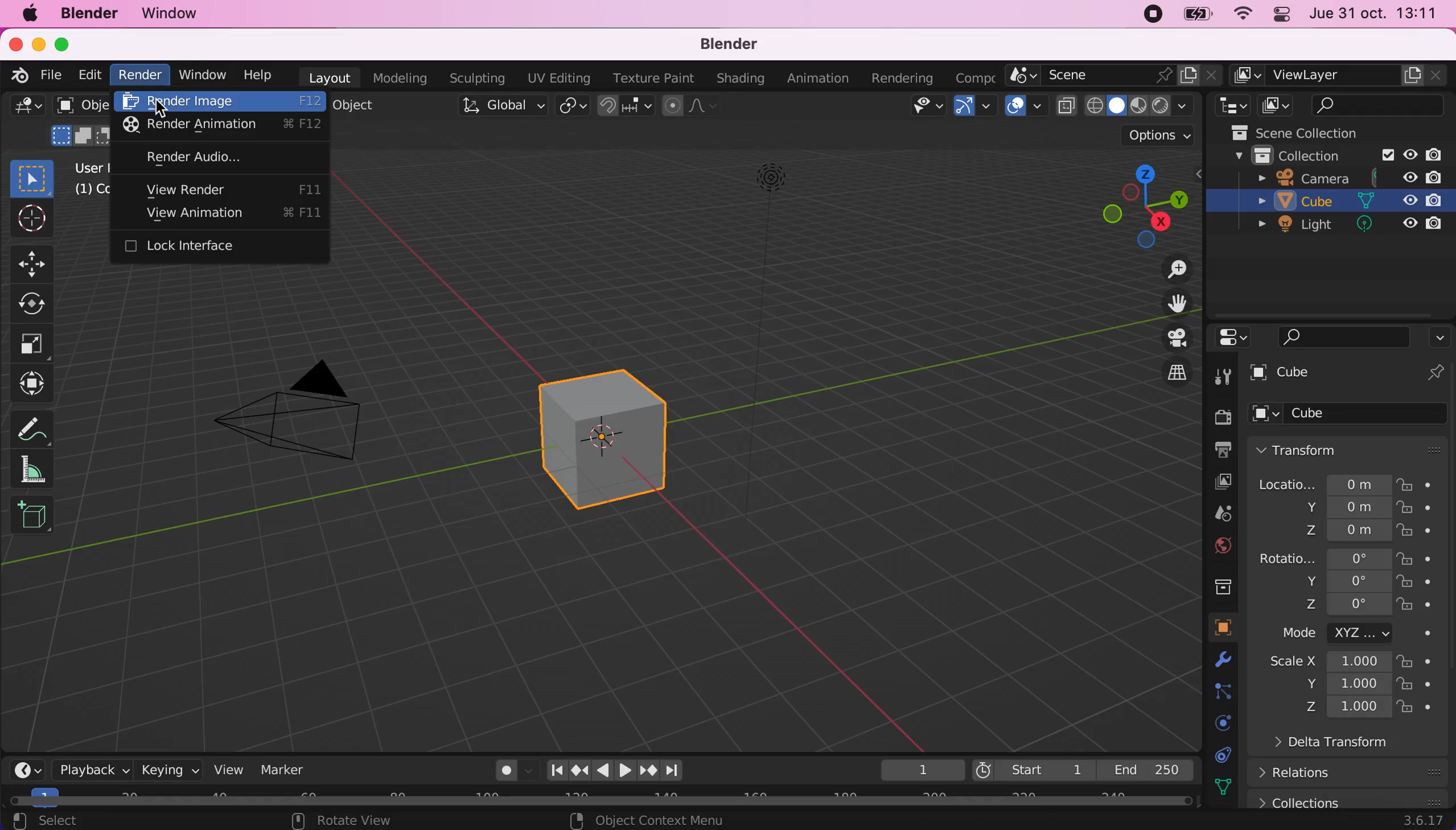  I want to click on rendering, so click(903, 79).